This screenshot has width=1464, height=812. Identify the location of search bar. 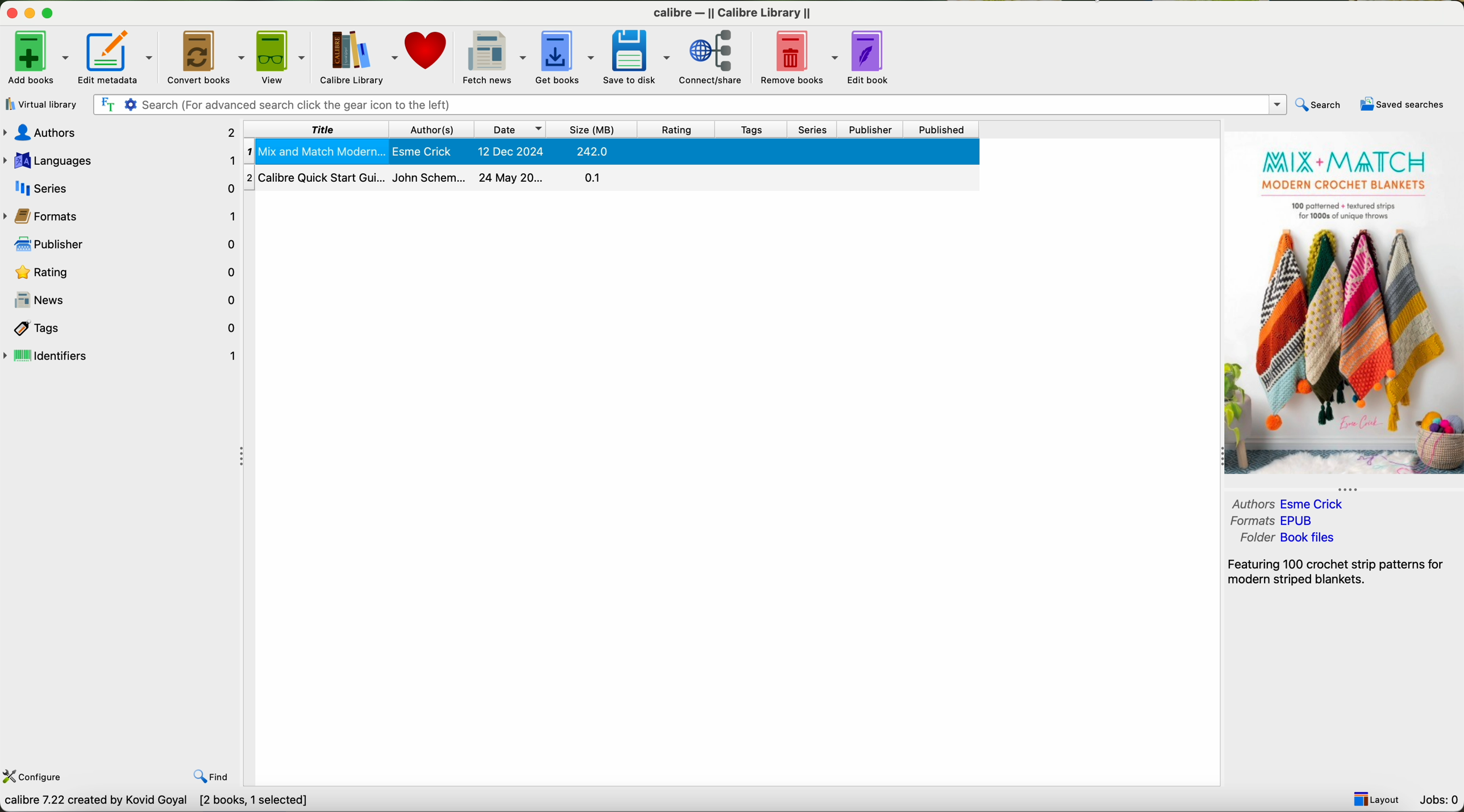
(686, 103).